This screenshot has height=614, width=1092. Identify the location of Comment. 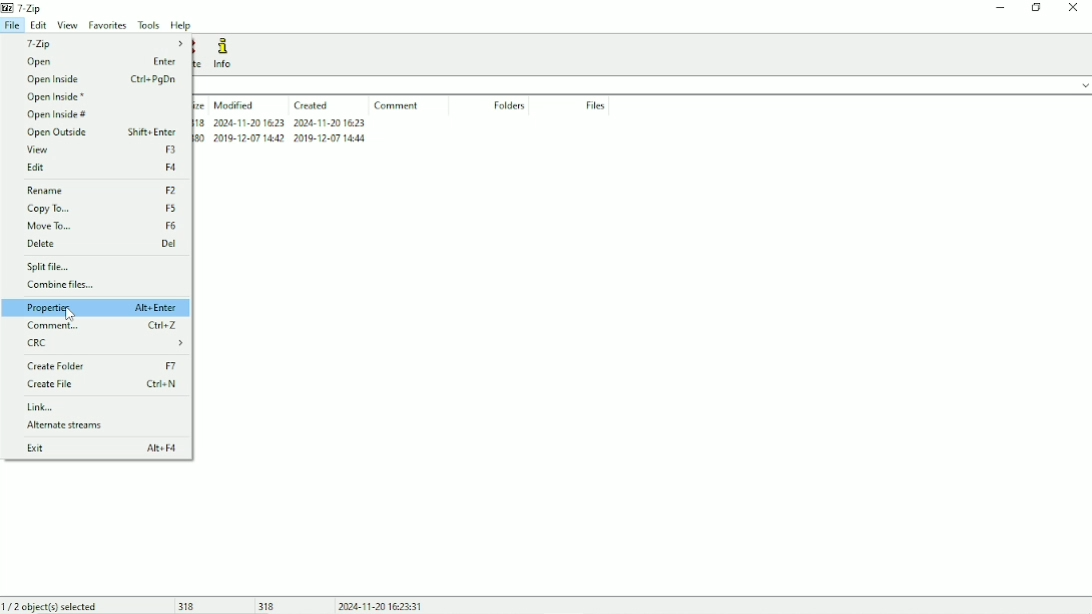
(102, 325).